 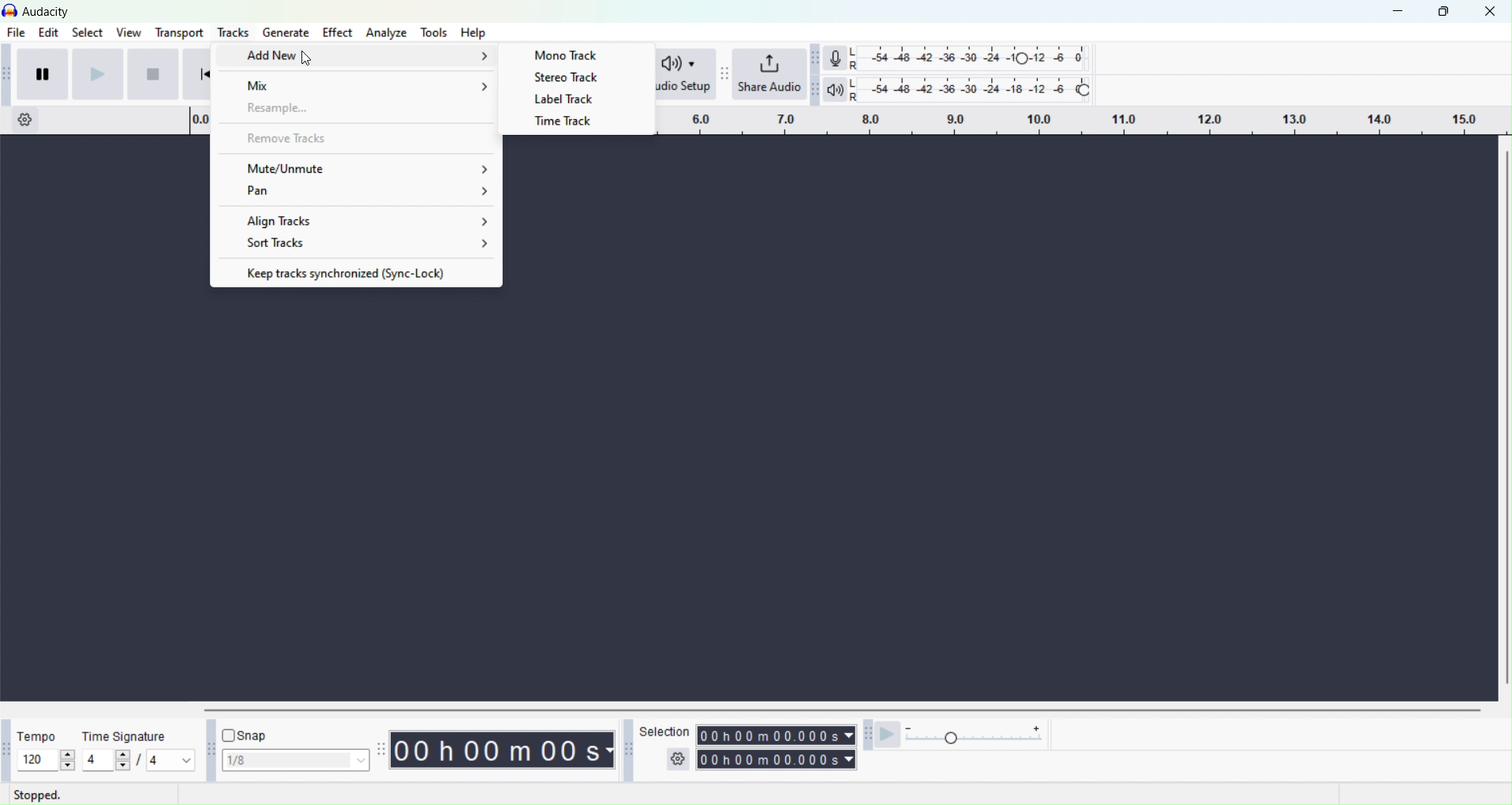 I want to click on Label track, so click(x=572, y=99).